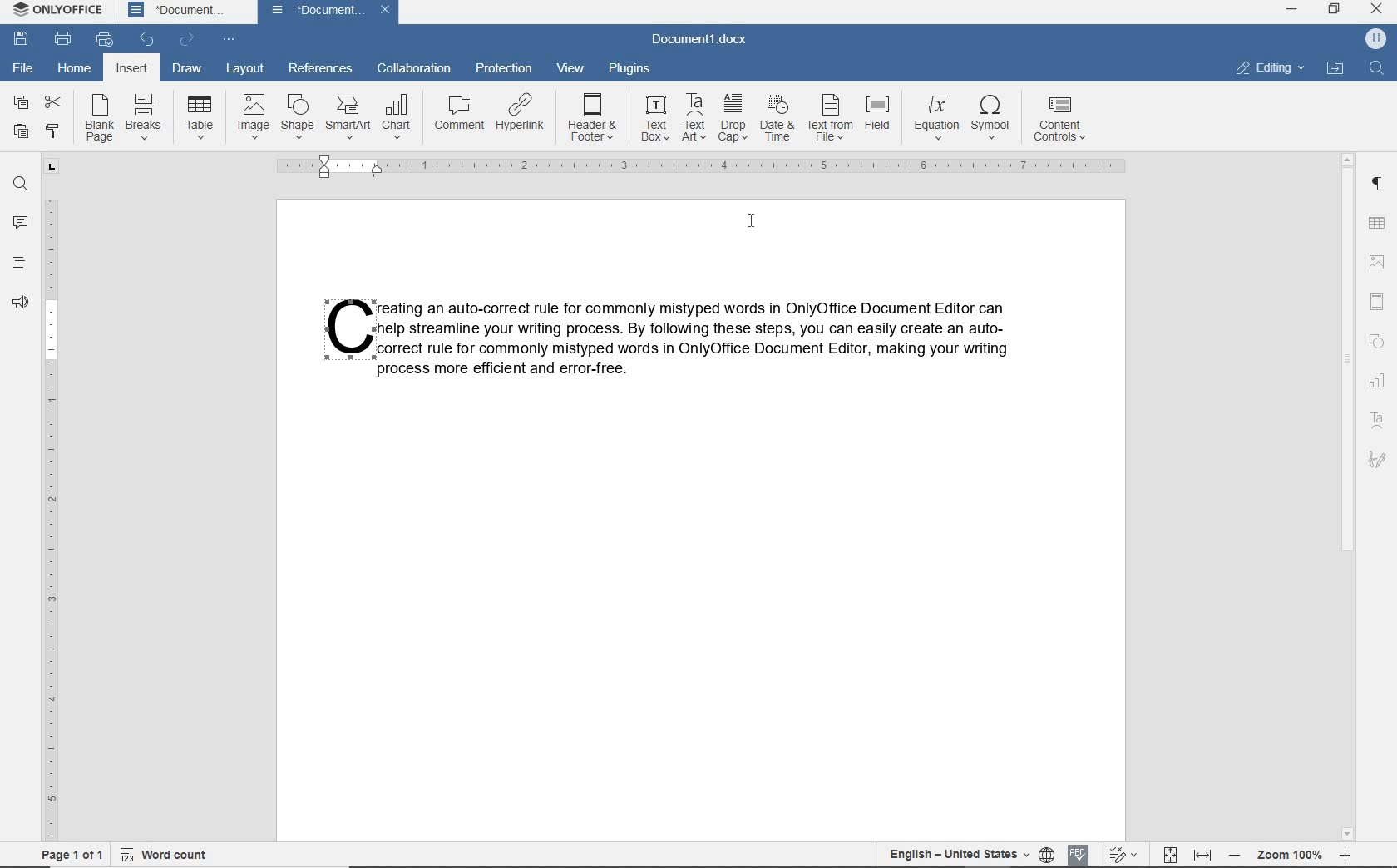 The height and width of the screenshot is (868, 1397). Describe the element at coordinates (751, 222) in the screenshot. I see `cursor` at that location.